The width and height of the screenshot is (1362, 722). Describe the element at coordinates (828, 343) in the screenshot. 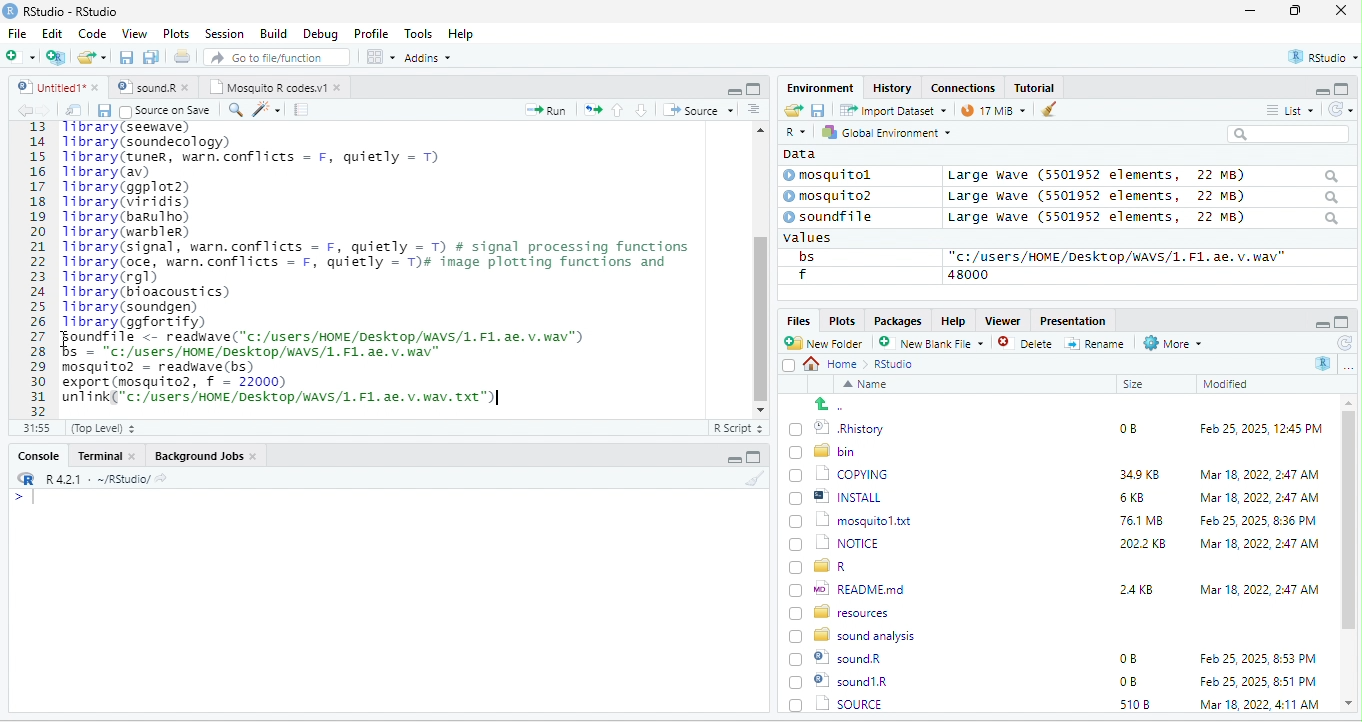

I see `New Folder` at that location.